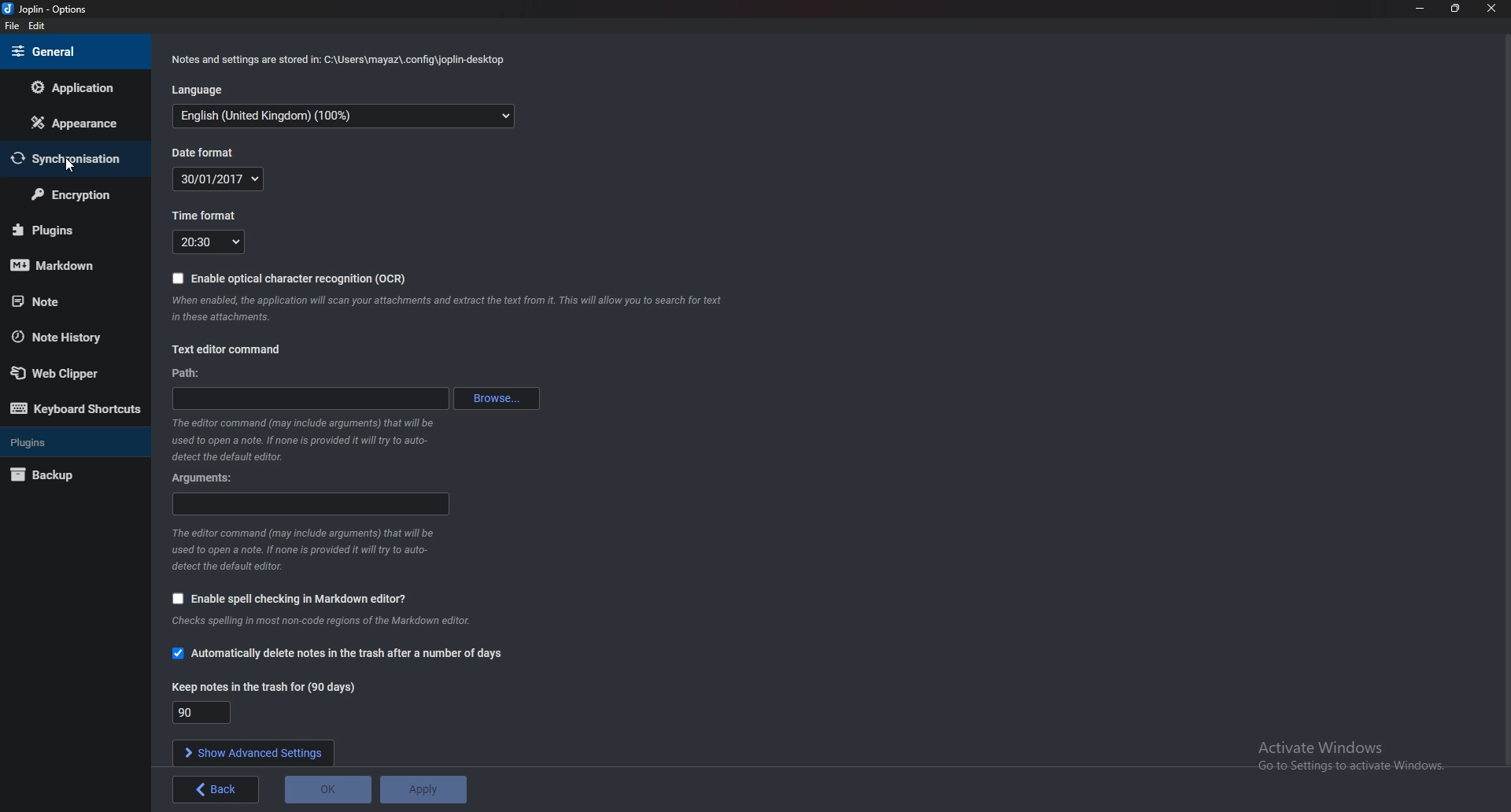 The height and width of the screenshot is (812, 1511). What do you see at coordinates (264, 685) in the screenshot?
I see `Keep notes in the trash for` at bounding box center [264, 685].